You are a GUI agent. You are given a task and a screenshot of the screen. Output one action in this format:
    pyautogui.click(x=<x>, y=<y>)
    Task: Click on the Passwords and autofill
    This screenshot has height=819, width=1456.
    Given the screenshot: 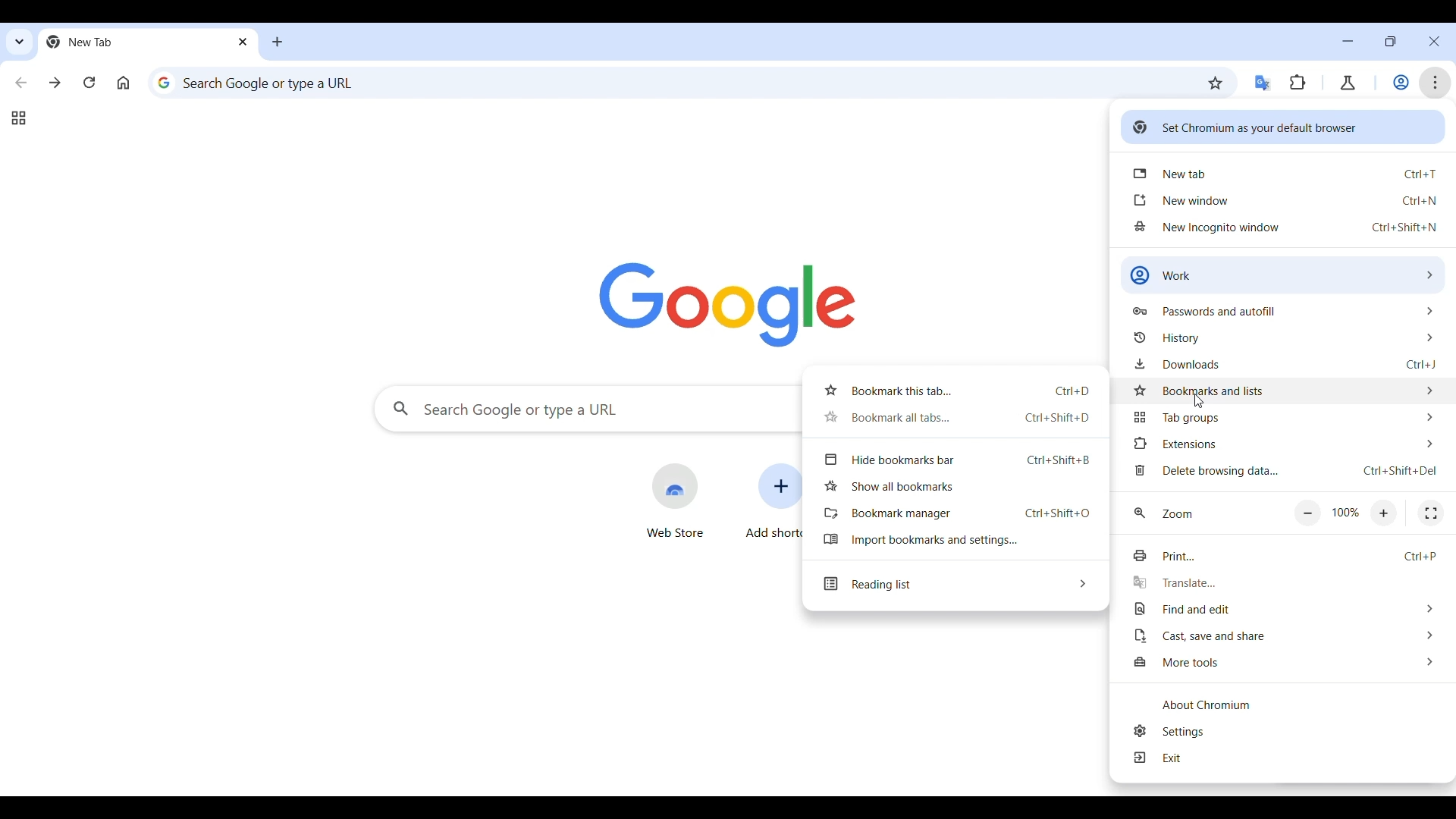 What is the action you would take?
    pyautogui.click(x=1284, y=309)
    